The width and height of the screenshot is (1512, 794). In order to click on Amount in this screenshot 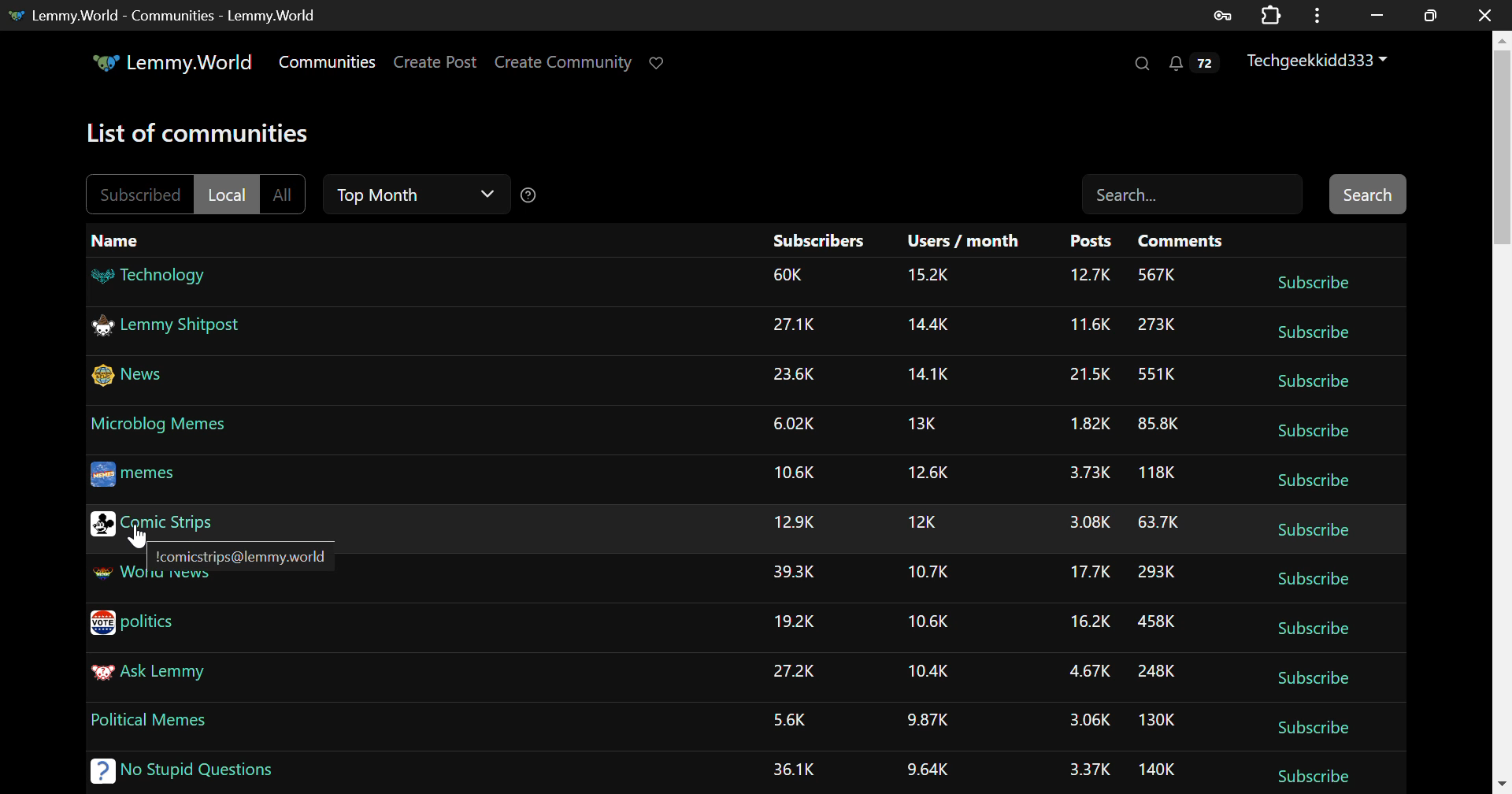, I will do `click(1156, 671)`.